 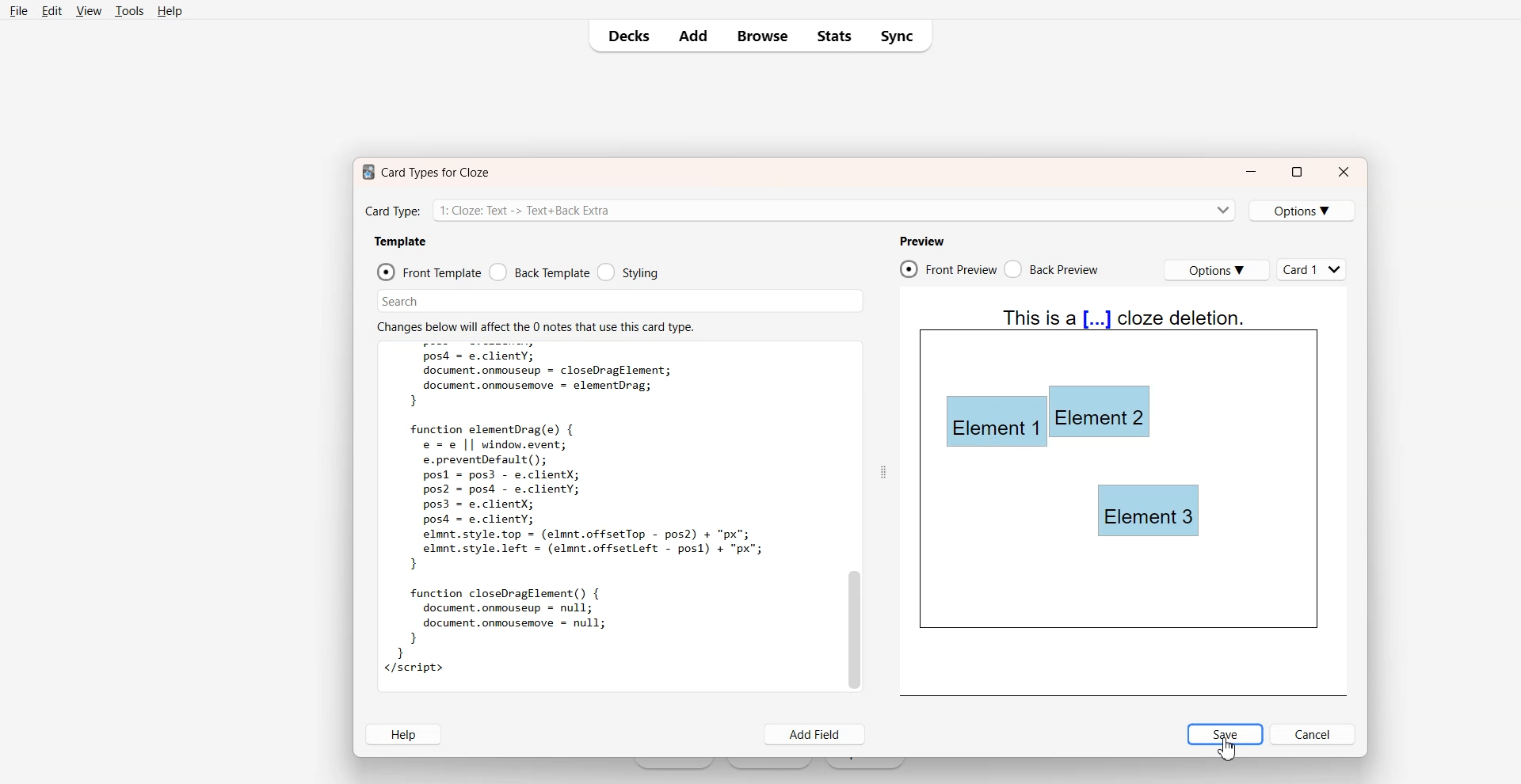 What do you see at coordinates (169, 10) in the screenshot?
I see `Help` at bounding box center [169, 10].